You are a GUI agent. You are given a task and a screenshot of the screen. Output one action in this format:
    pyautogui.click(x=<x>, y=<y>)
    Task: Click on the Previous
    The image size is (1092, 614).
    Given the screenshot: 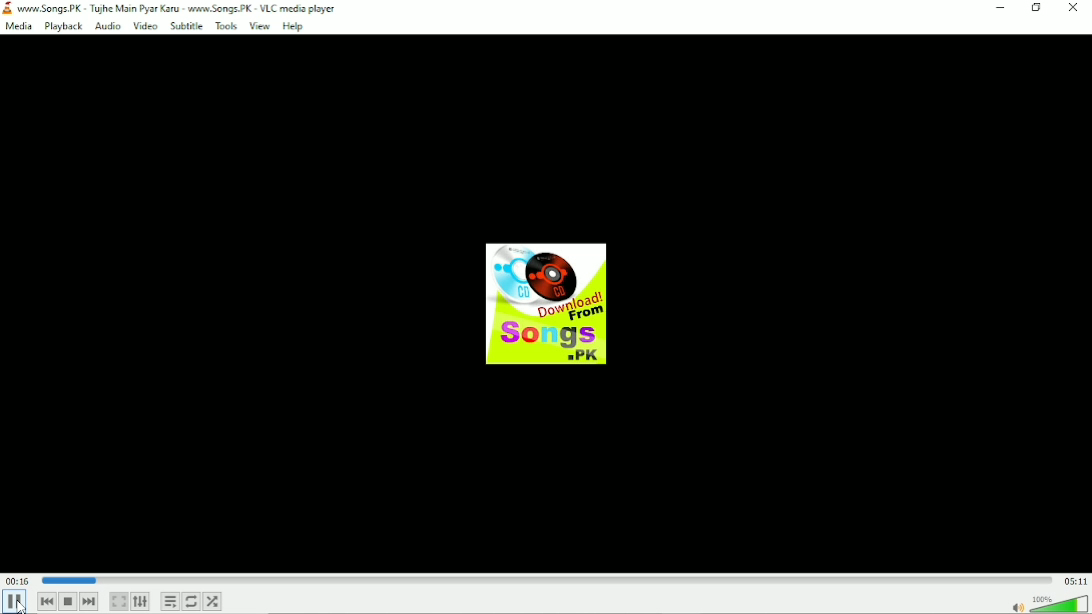 What is the action you would take?
    pyautogui.click(x=46, y=602)
    